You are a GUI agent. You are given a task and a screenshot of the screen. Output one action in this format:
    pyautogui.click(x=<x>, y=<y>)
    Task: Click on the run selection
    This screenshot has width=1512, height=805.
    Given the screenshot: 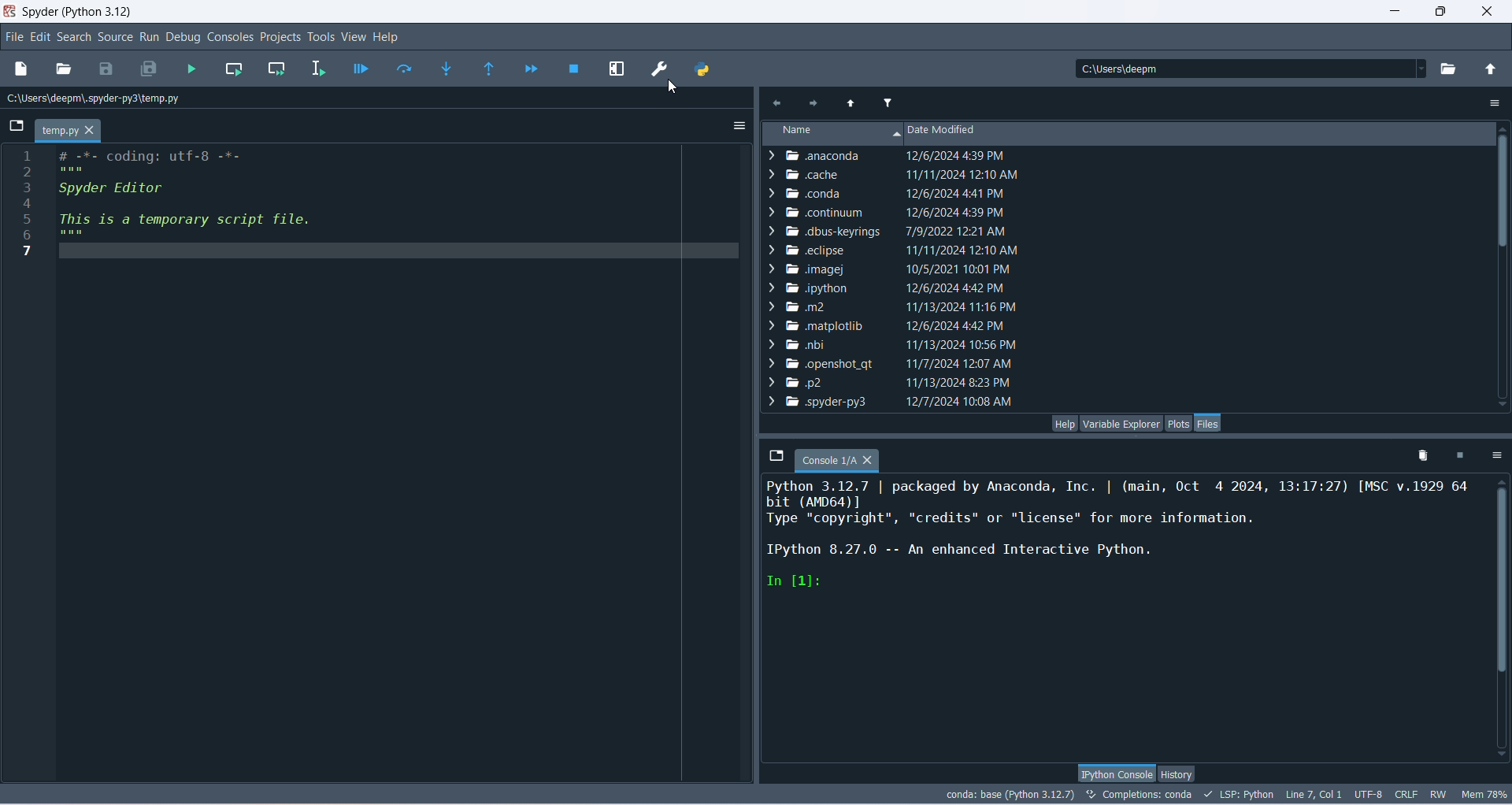 What is the action you would take?
    pyautogui.click(x=320, y=68)
    